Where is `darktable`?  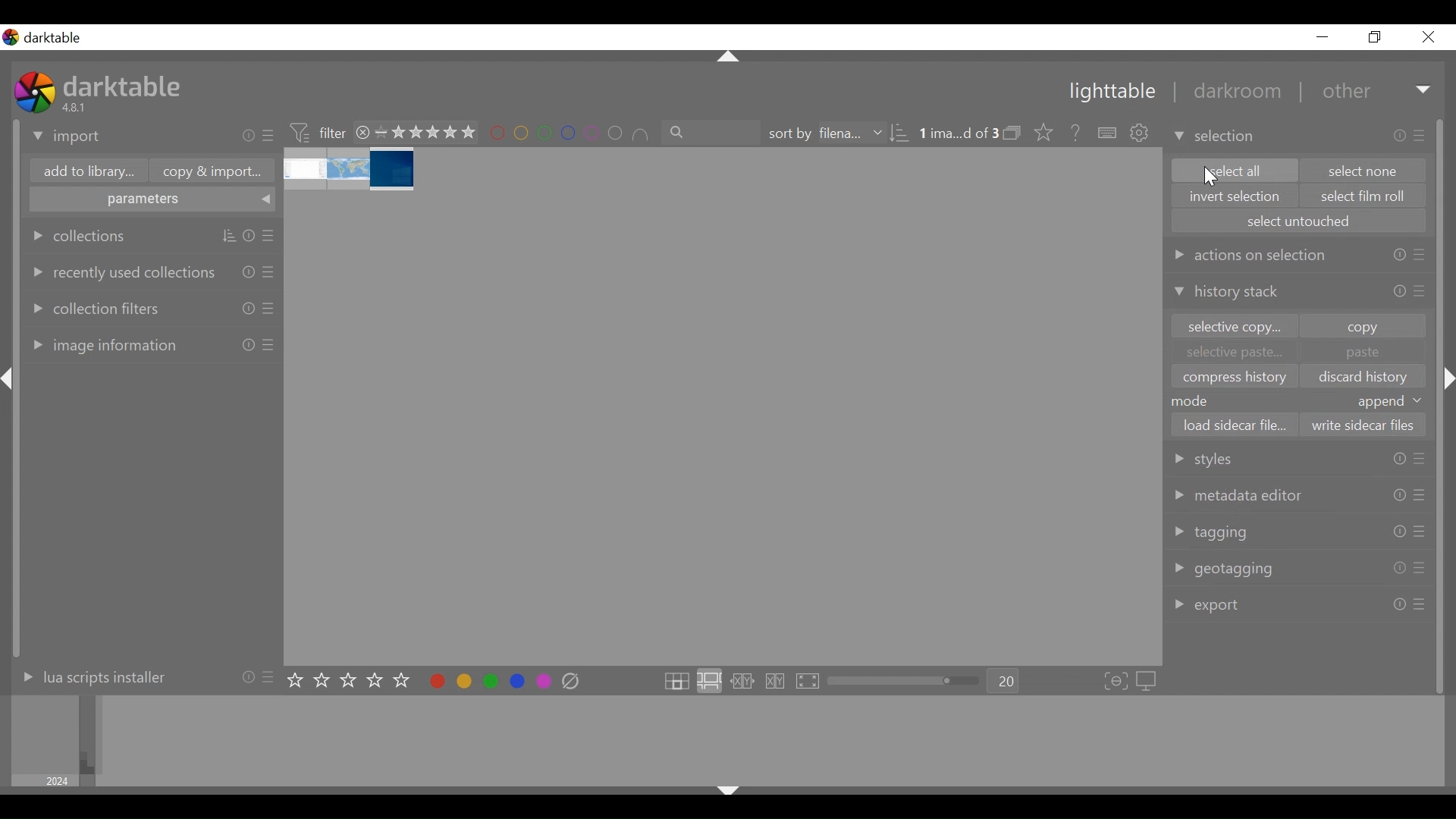 darktable is located at coordinates (125, 85).